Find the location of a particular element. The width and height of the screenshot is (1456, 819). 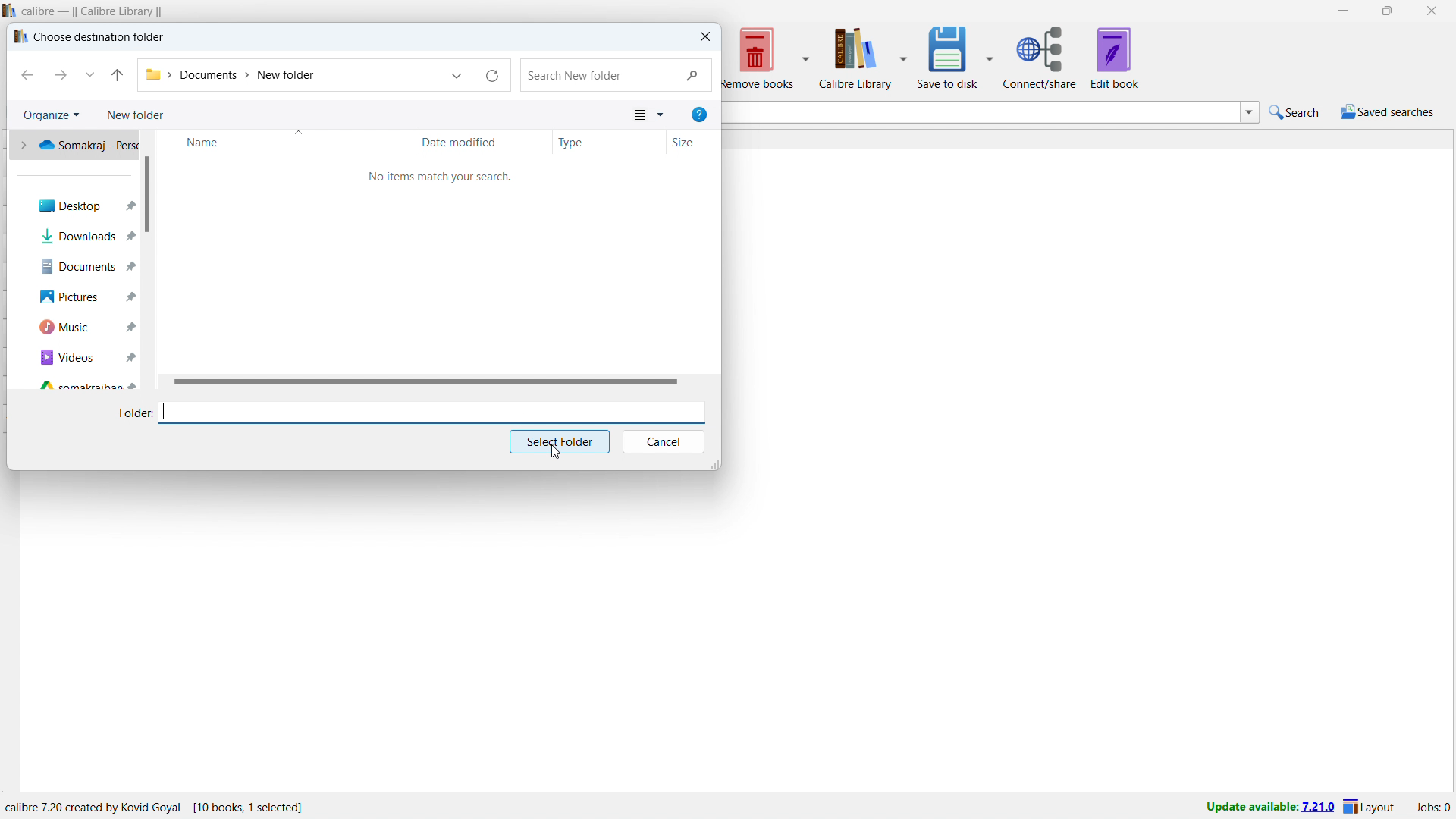

close is located at coordinates (705, 36).